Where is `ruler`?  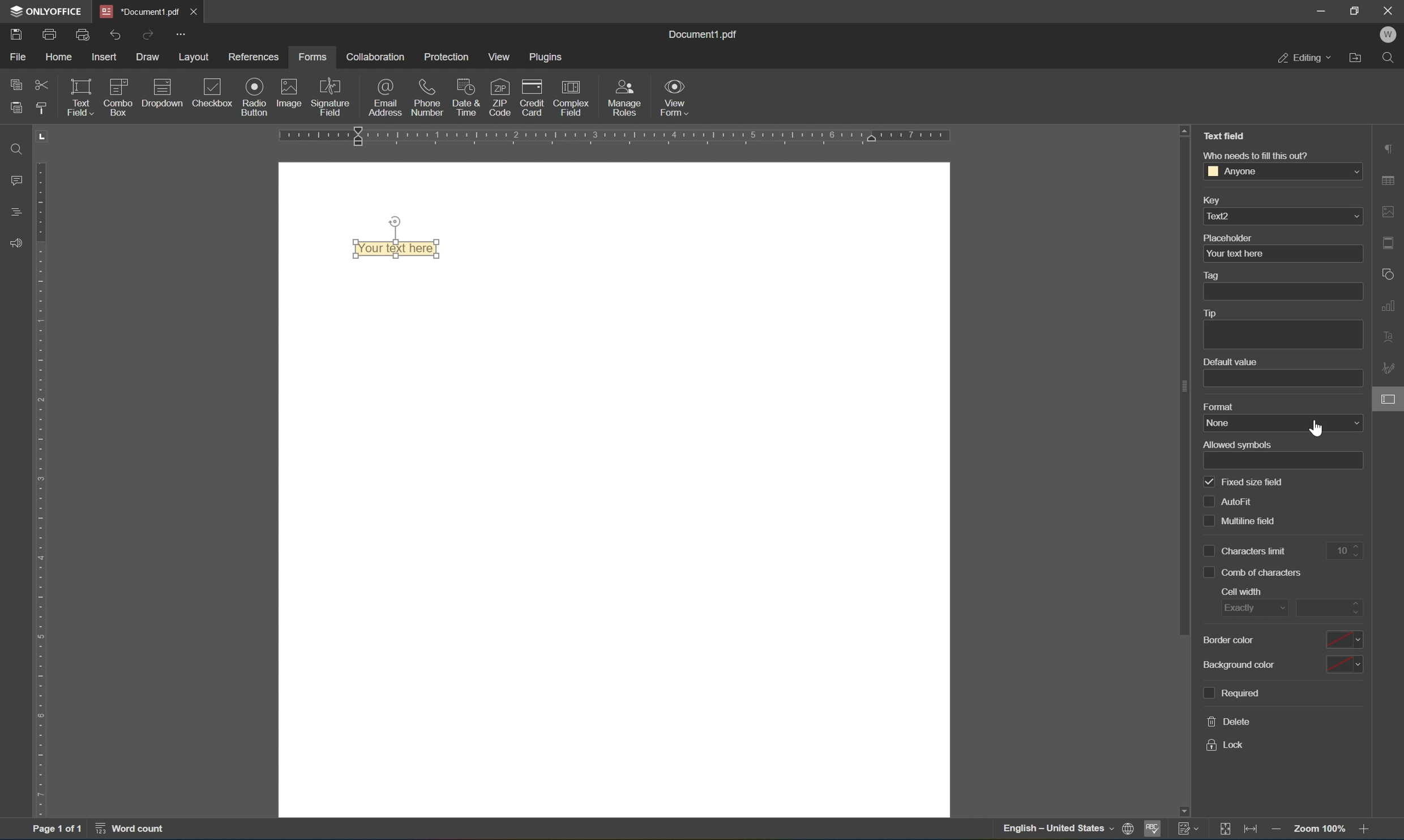 ruler is located at coordinates (37, 490).